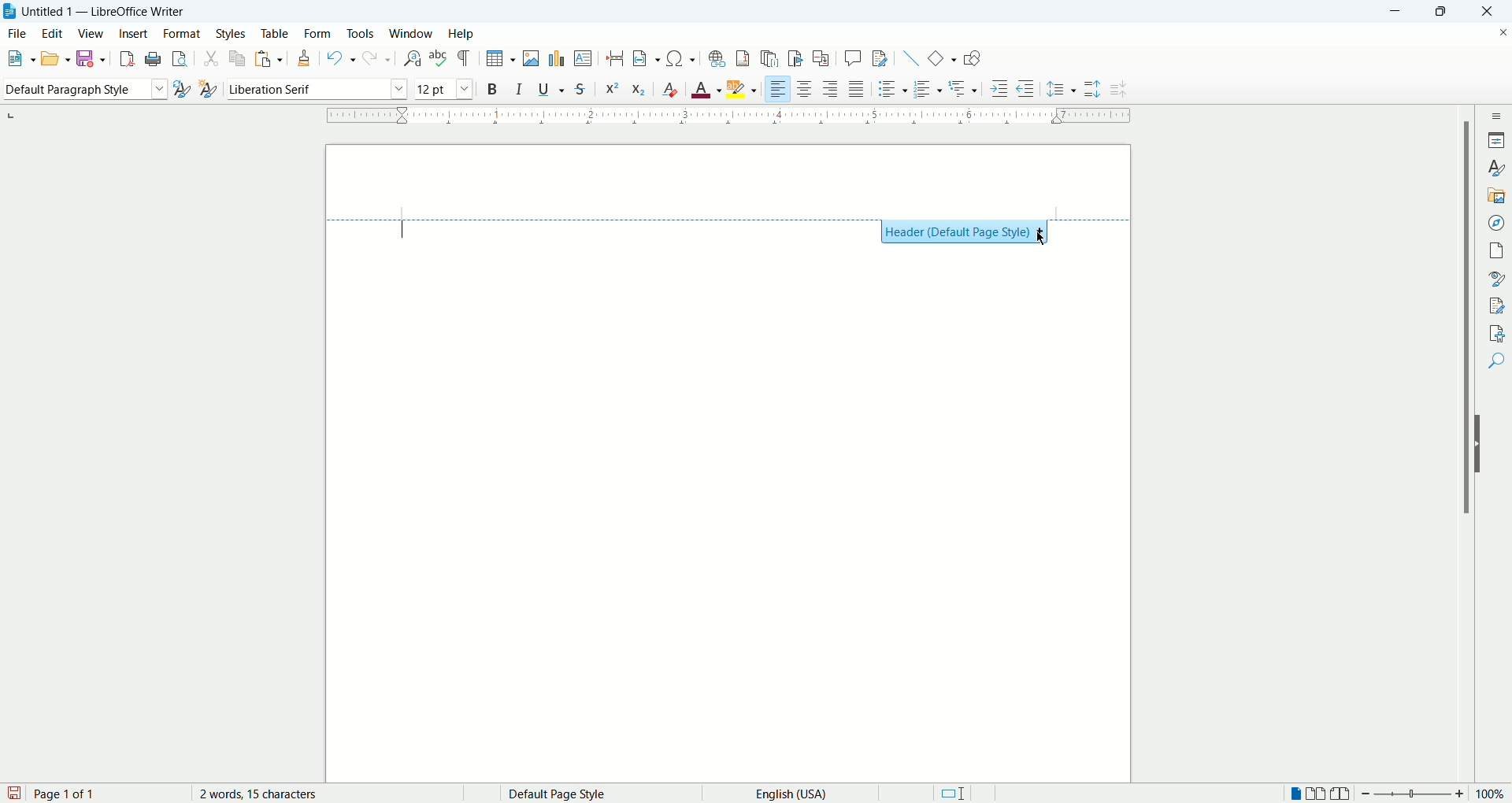 The width and height of the screenshot is (1512, 803). What do you see at coordinates (180, 34) in the screenshot?
I see `format` at bounding box center [180, 34].